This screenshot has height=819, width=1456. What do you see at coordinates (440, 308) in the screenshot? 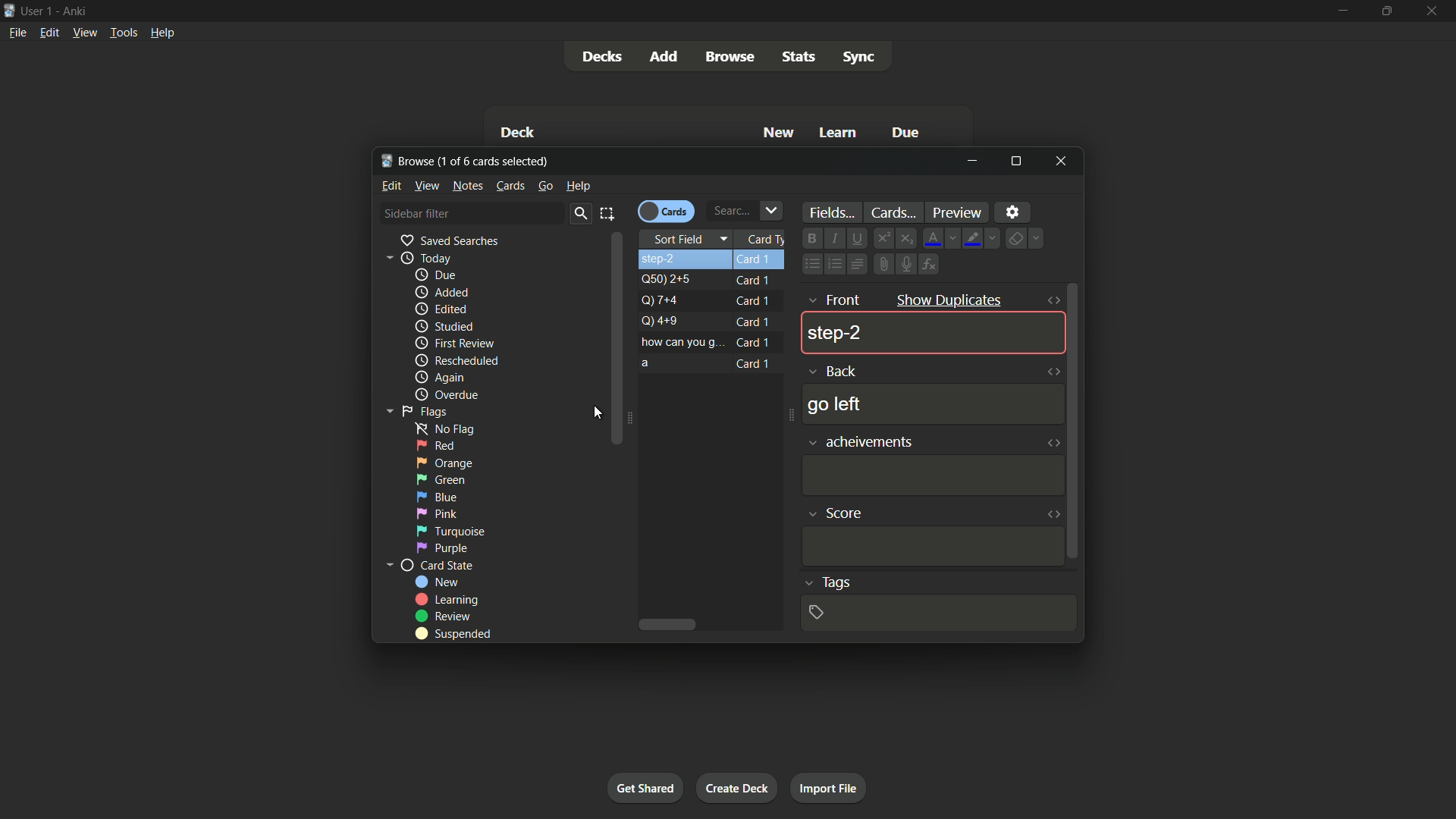
I see ` edited` at bounding box center [440, 308].